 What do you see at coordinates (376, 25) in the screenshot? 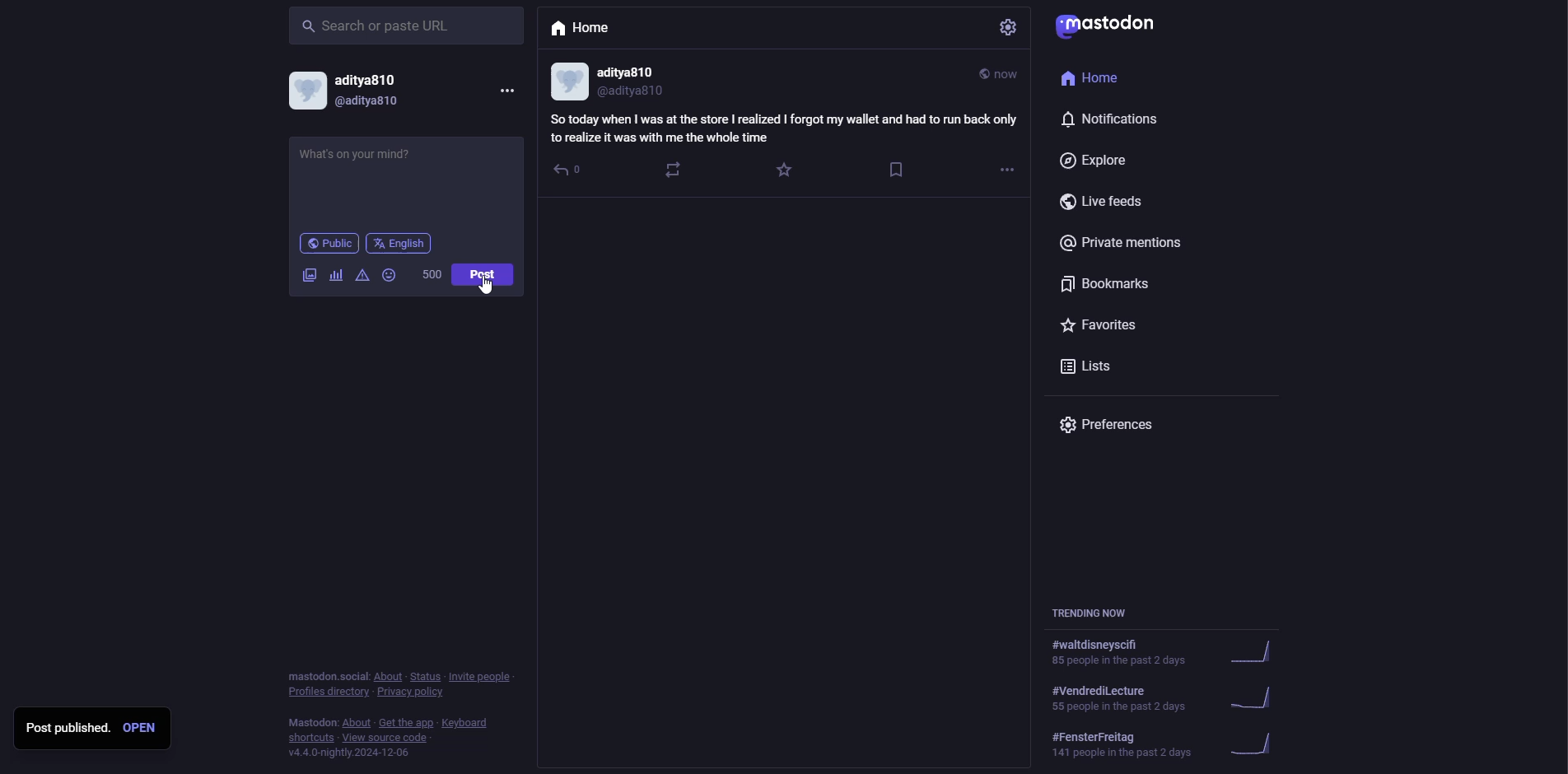
I see `search` at bounding box center [376, 25].